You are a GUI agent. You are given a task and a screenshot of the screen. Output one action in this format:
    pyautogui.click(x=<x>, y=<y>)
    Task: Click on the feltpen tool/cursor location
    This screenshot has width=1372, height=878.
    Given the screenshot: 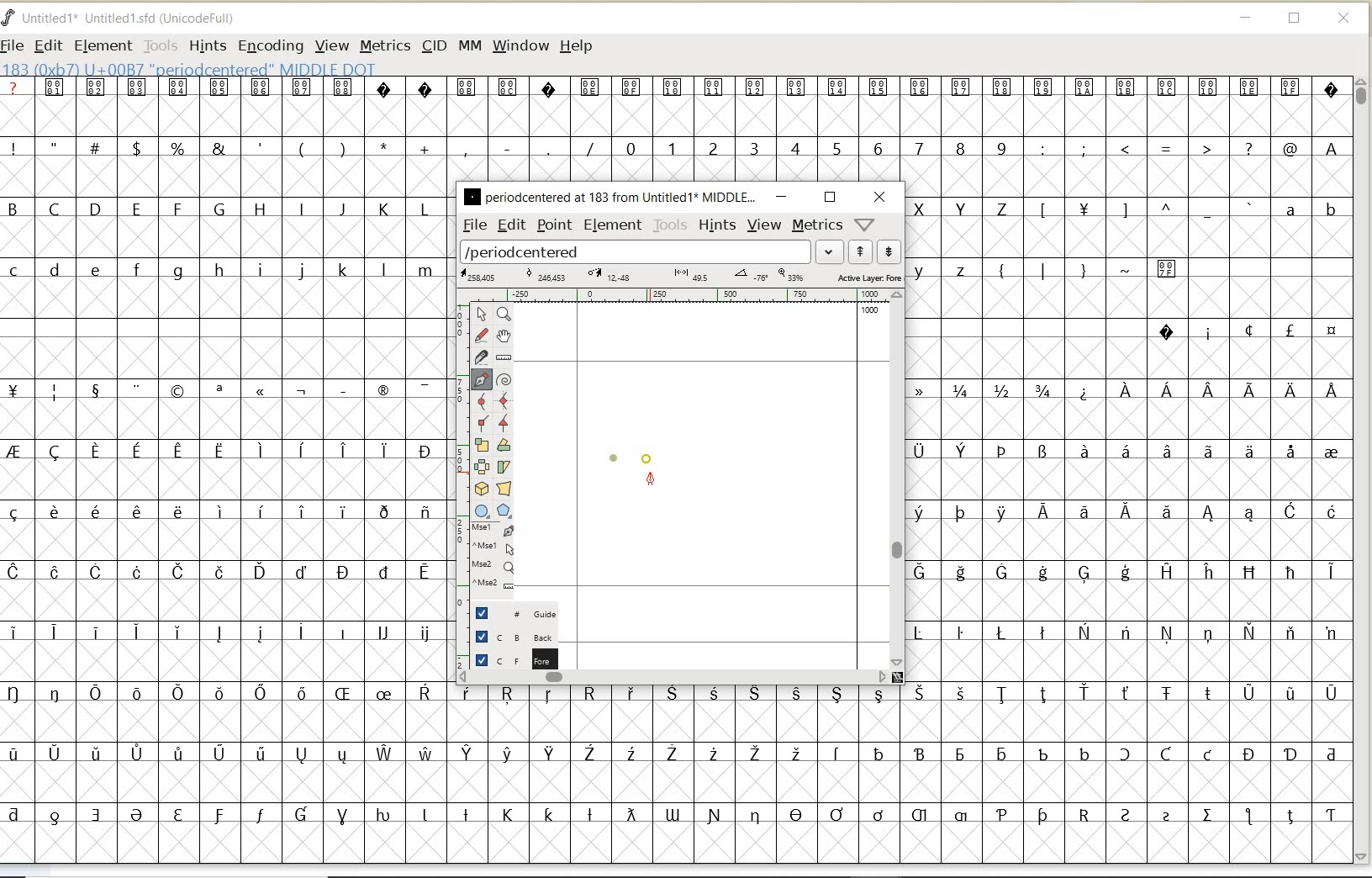 What is the action you would take?
    pyautogui.click(x=650, y=480)
    